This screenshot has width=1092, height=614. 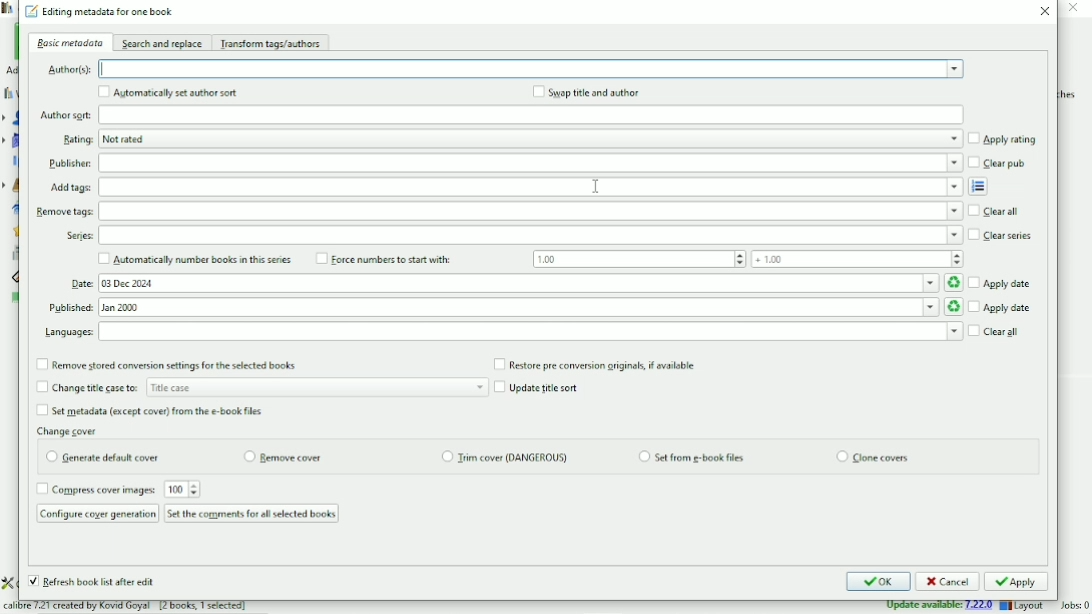 What do you see at coordinates (197, 489) in the screenshot?
I see `increment or decrement ` at bounding box center [197, 489].